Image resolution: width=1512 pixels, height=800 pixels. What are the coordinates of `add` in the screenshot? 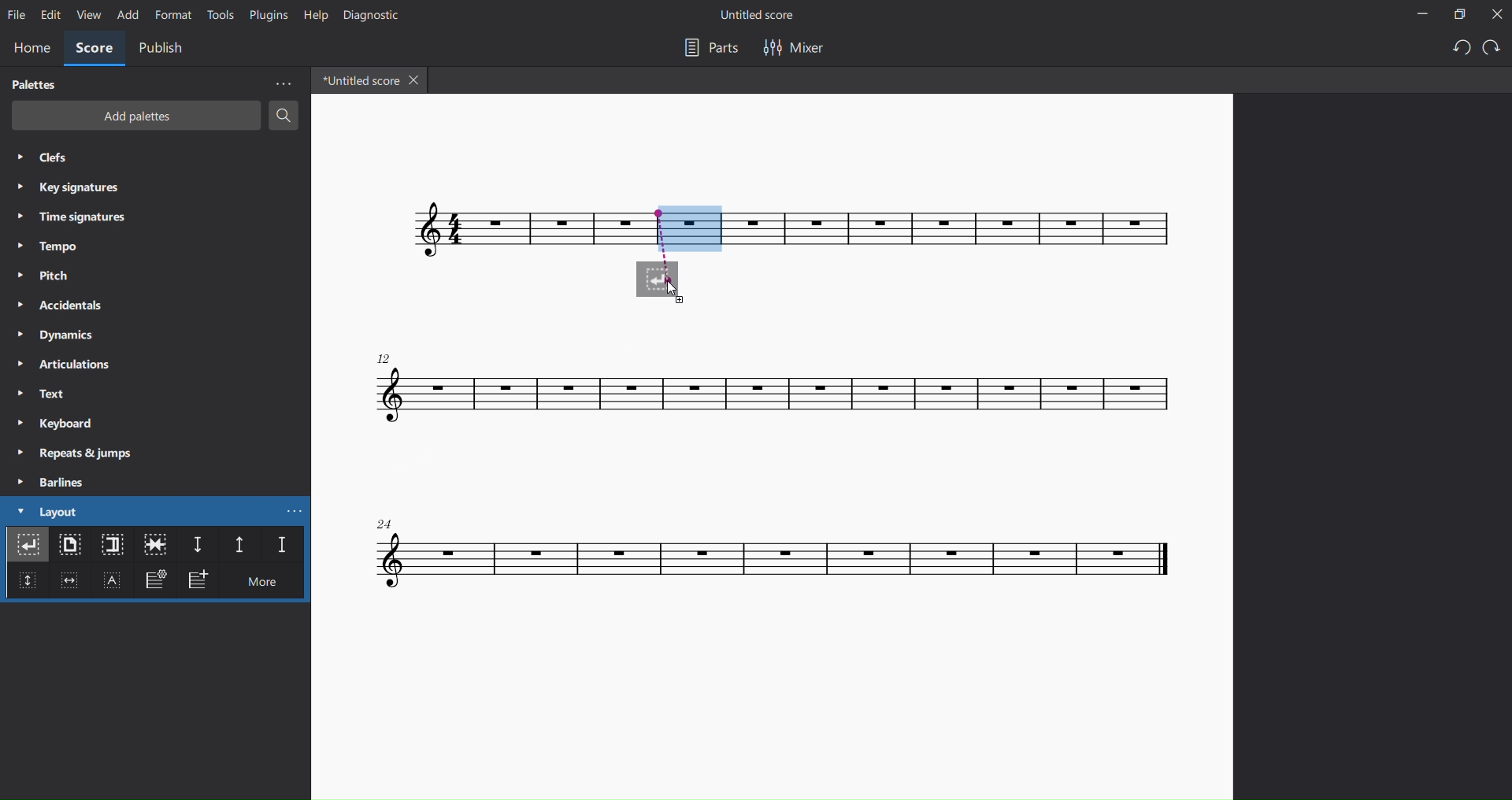 It's located at (127, 16).